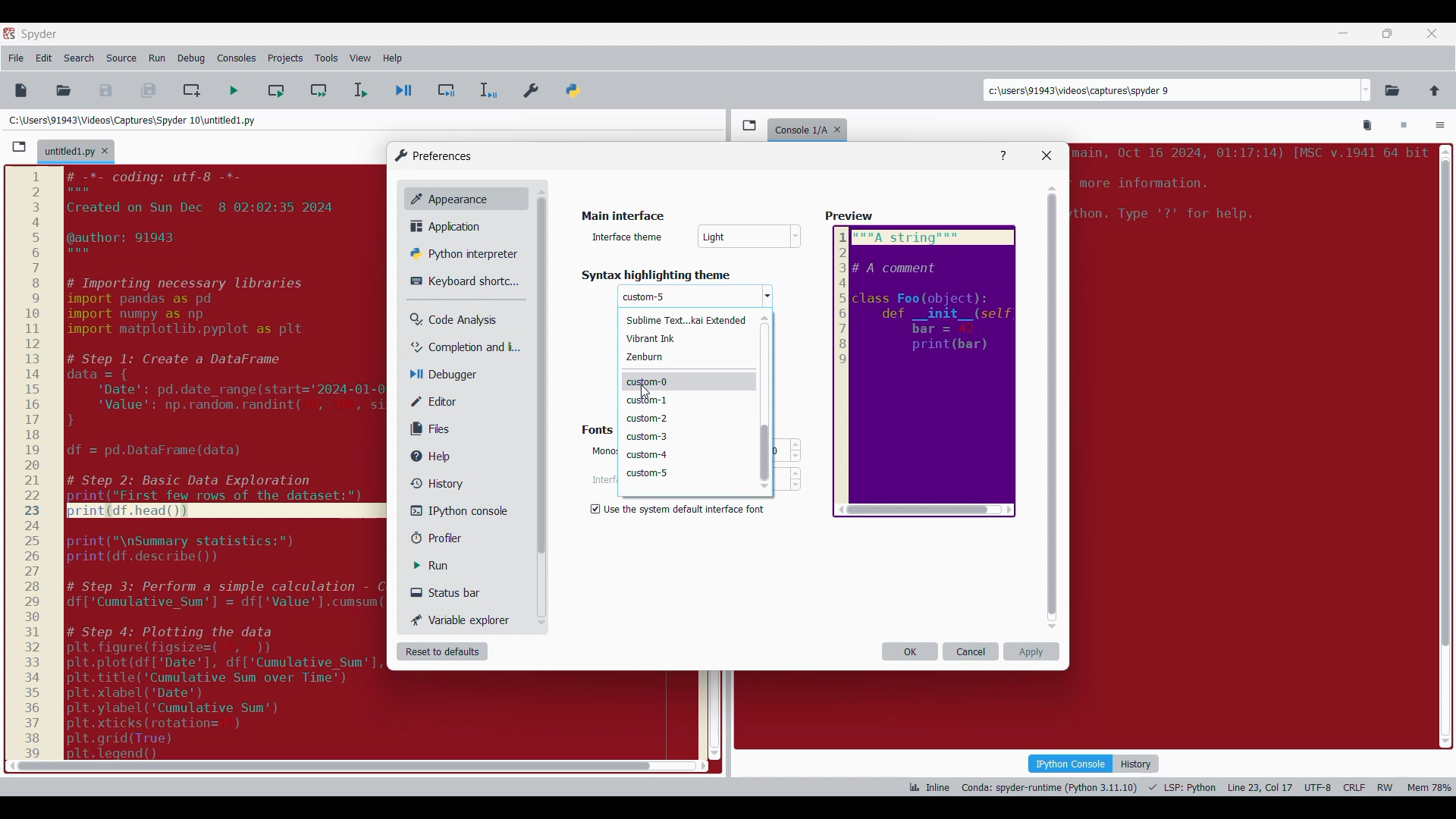 The height and width of the screenshot is (819, 1456). What do you see at coordinates (237, 58) in the screenshot?
I see `Consoles menu` at bounding box center [237, 58].